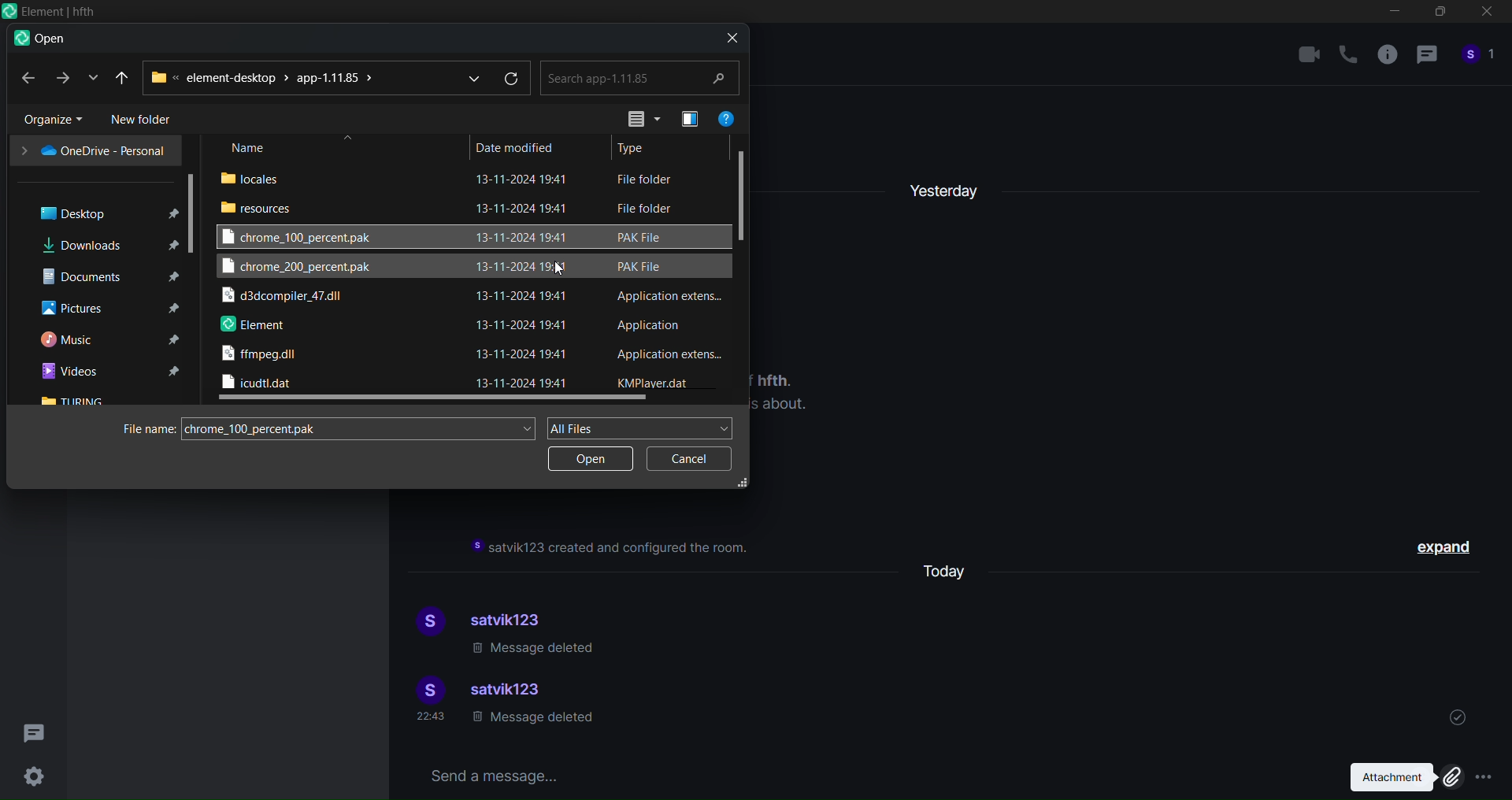  What do you see at coordinates (613, 548) in the screenshot?
I see `instruction` at bounding box center [613, 548].